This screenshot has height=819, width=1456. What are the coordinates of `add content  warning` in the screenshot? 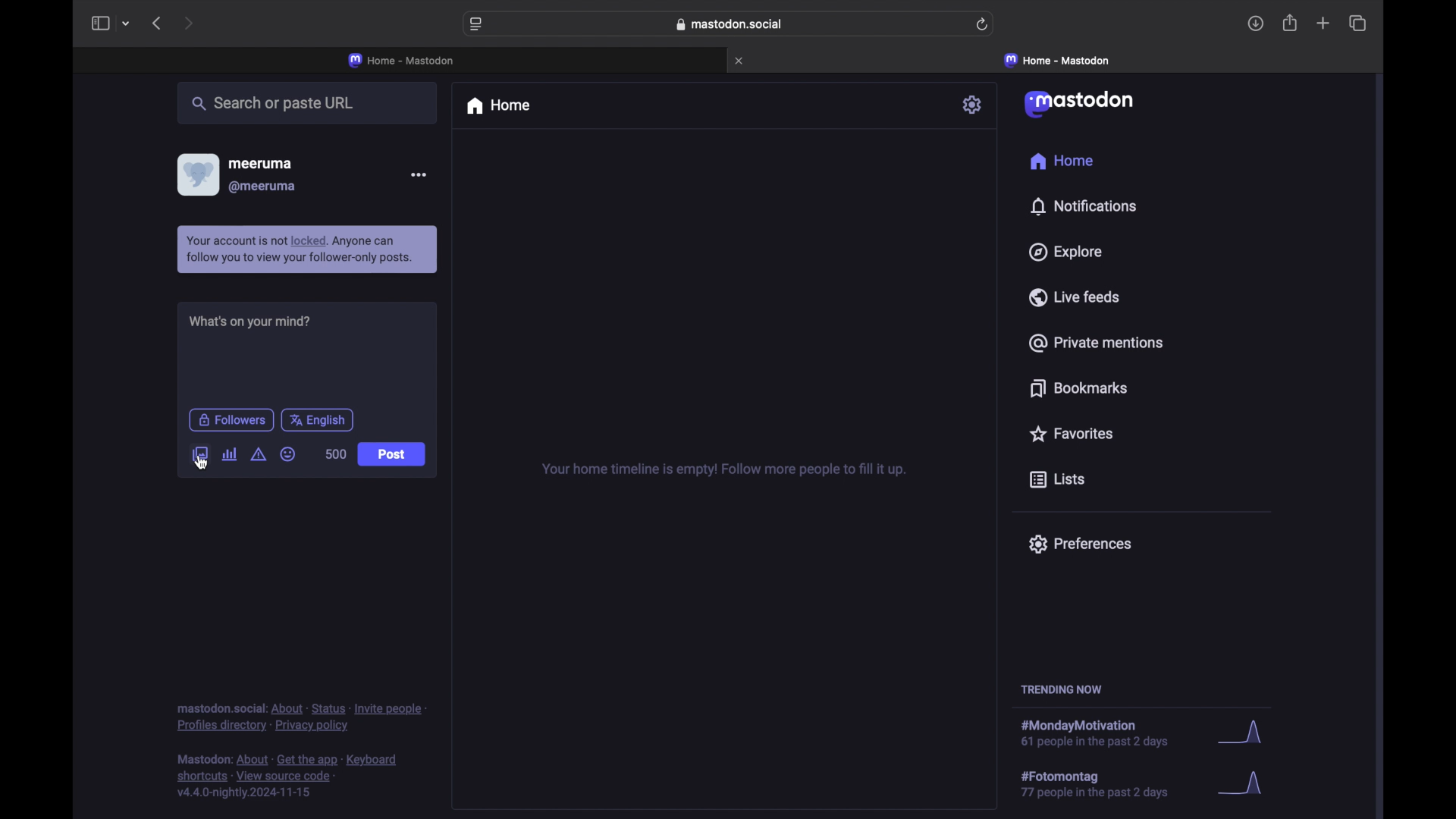 It's located at (258, 453).